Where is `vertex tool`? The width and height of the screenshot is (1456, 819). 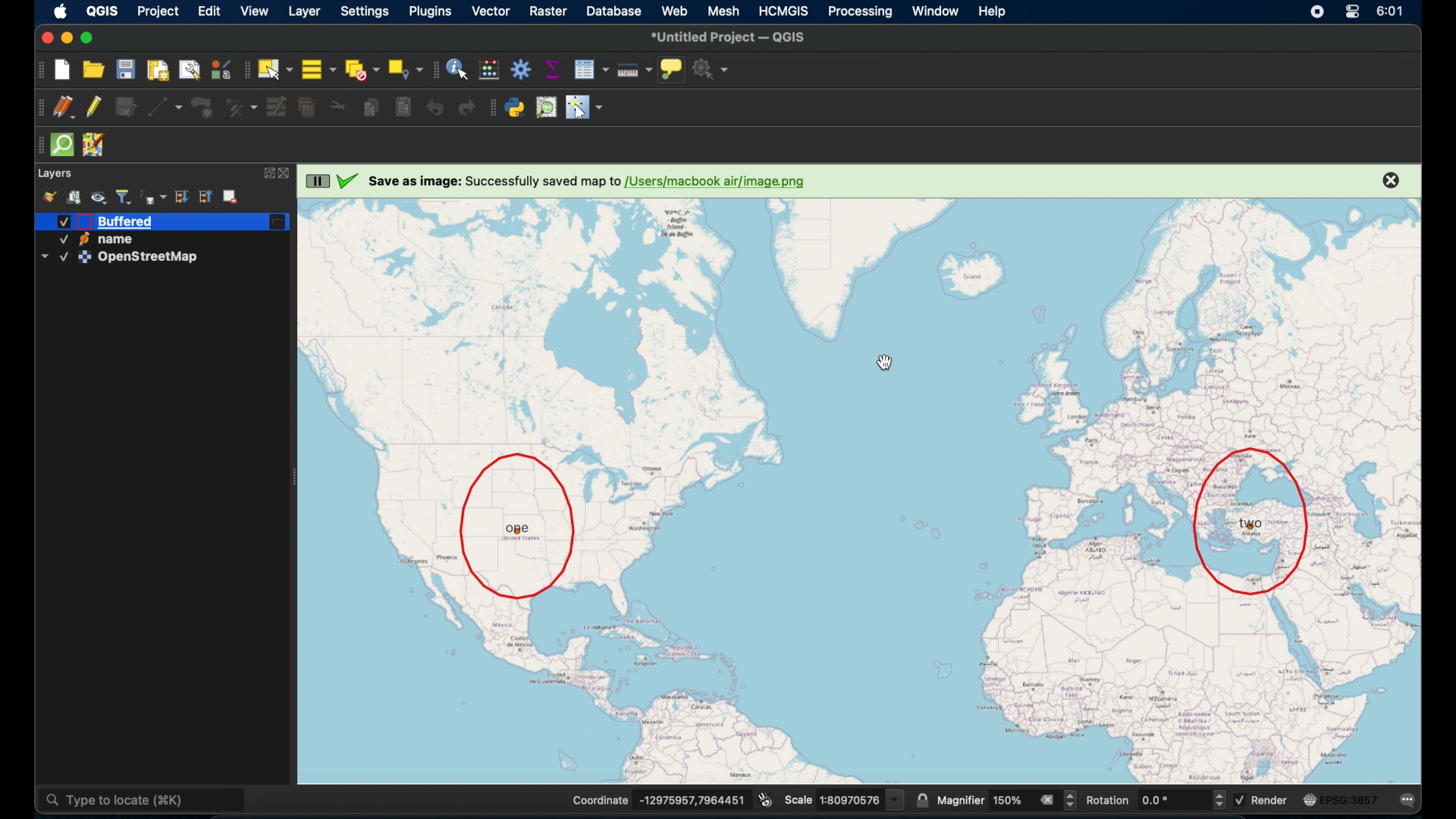
vertex tool is located at coordinates (240, 105).